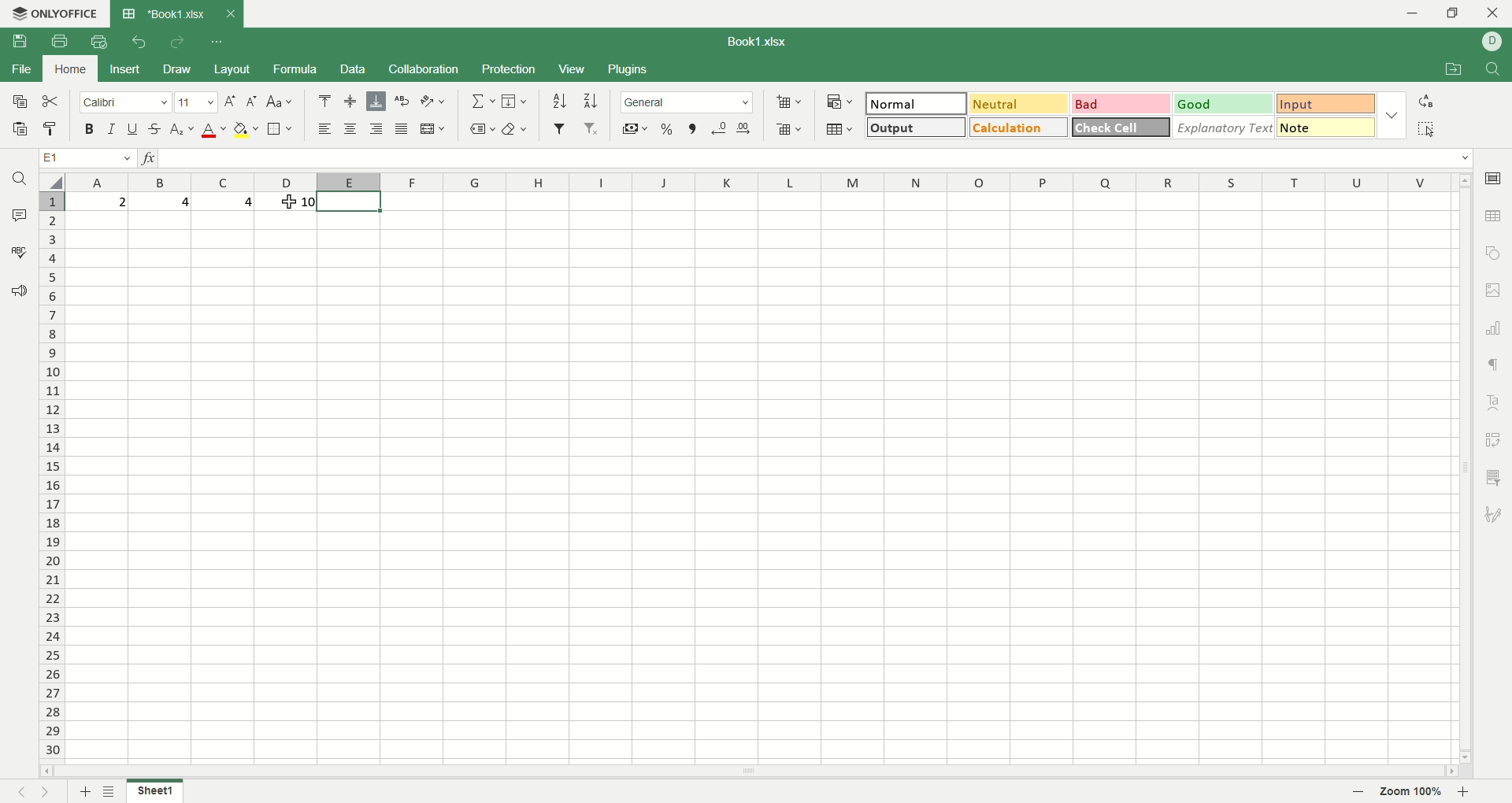 The height and width of the screenshot is (803, 1512). What do you see at coordinates (16, 290) in the screenshot?
I see `feedback and support` at bounding box center [16, 290].